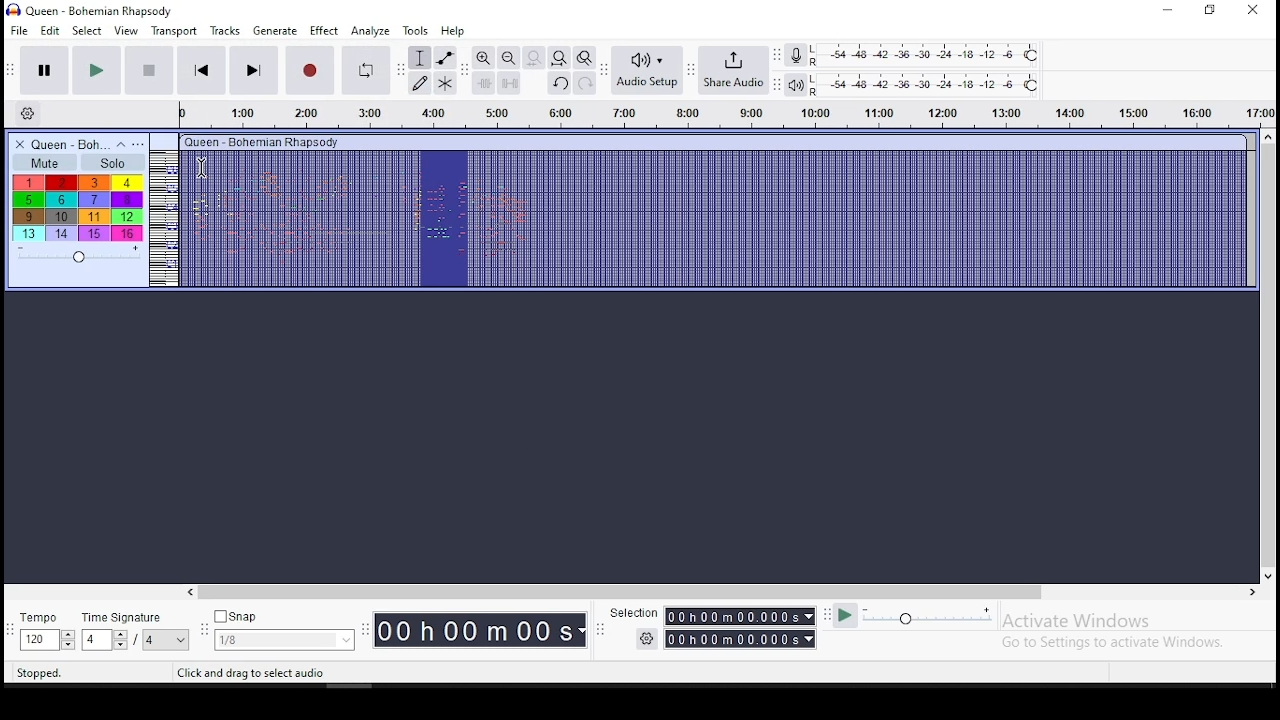 The width and height of the screenshot is (1280, 720). I want to click on 00h00m00s, so click(742, 618).